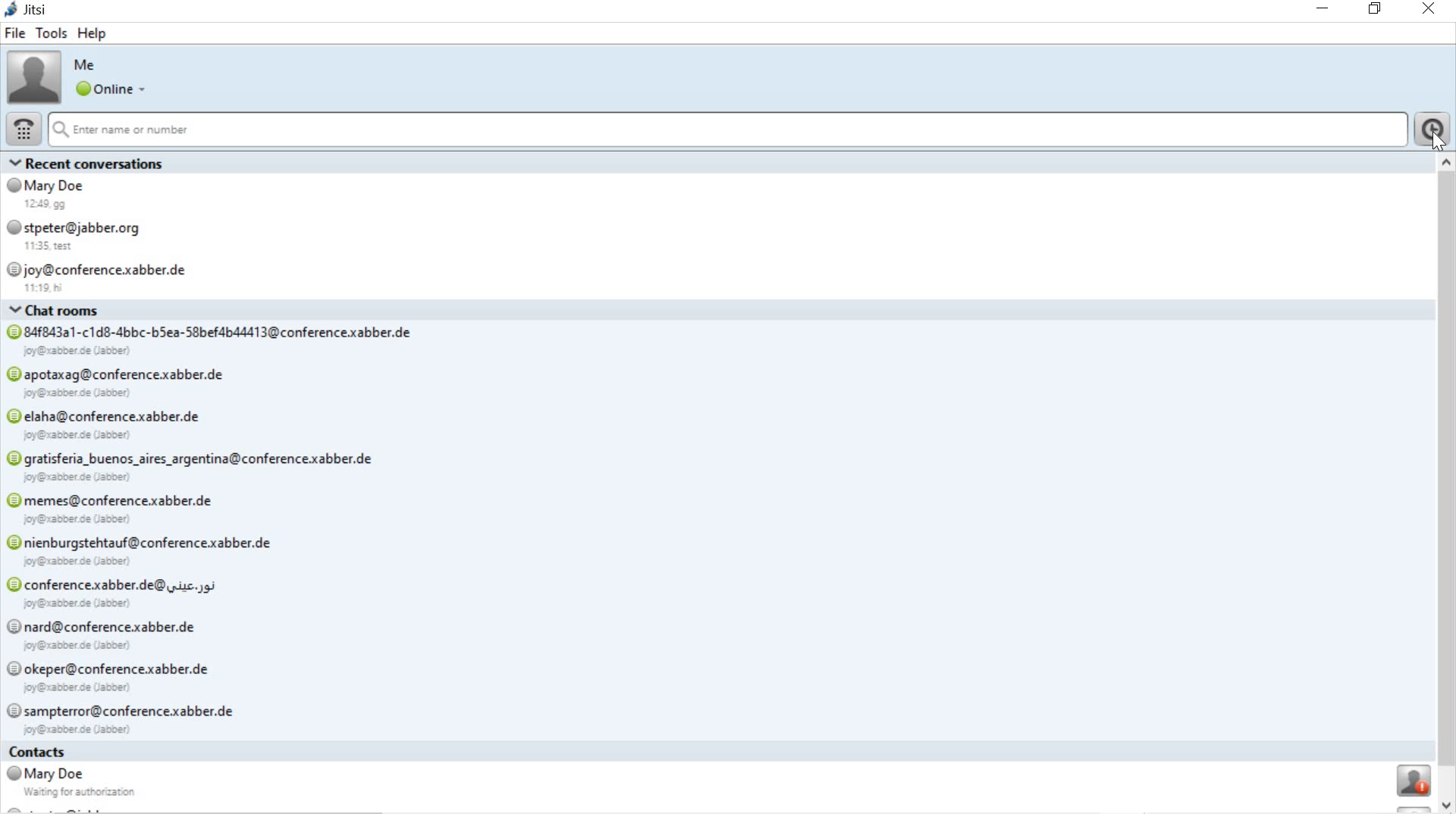 Image resolution: width=1456 pixels, height=814 pixels. I want to click on scrollbar, so click(1447, 484).